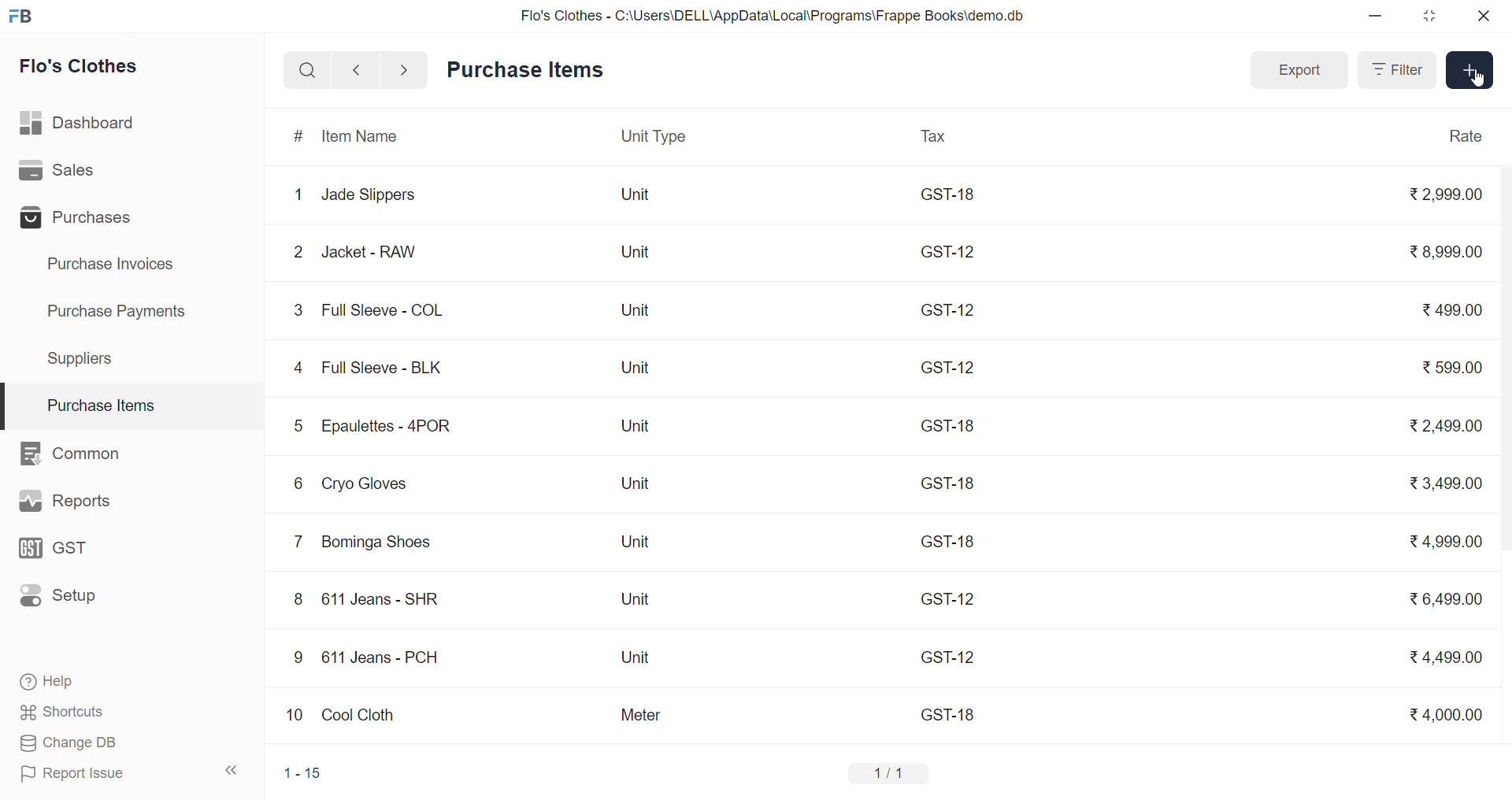 This screenshot has width=1512, height=800. Describe the element at coordinates (1466, 71) in the screenshot. I see `Add Item` at that location.